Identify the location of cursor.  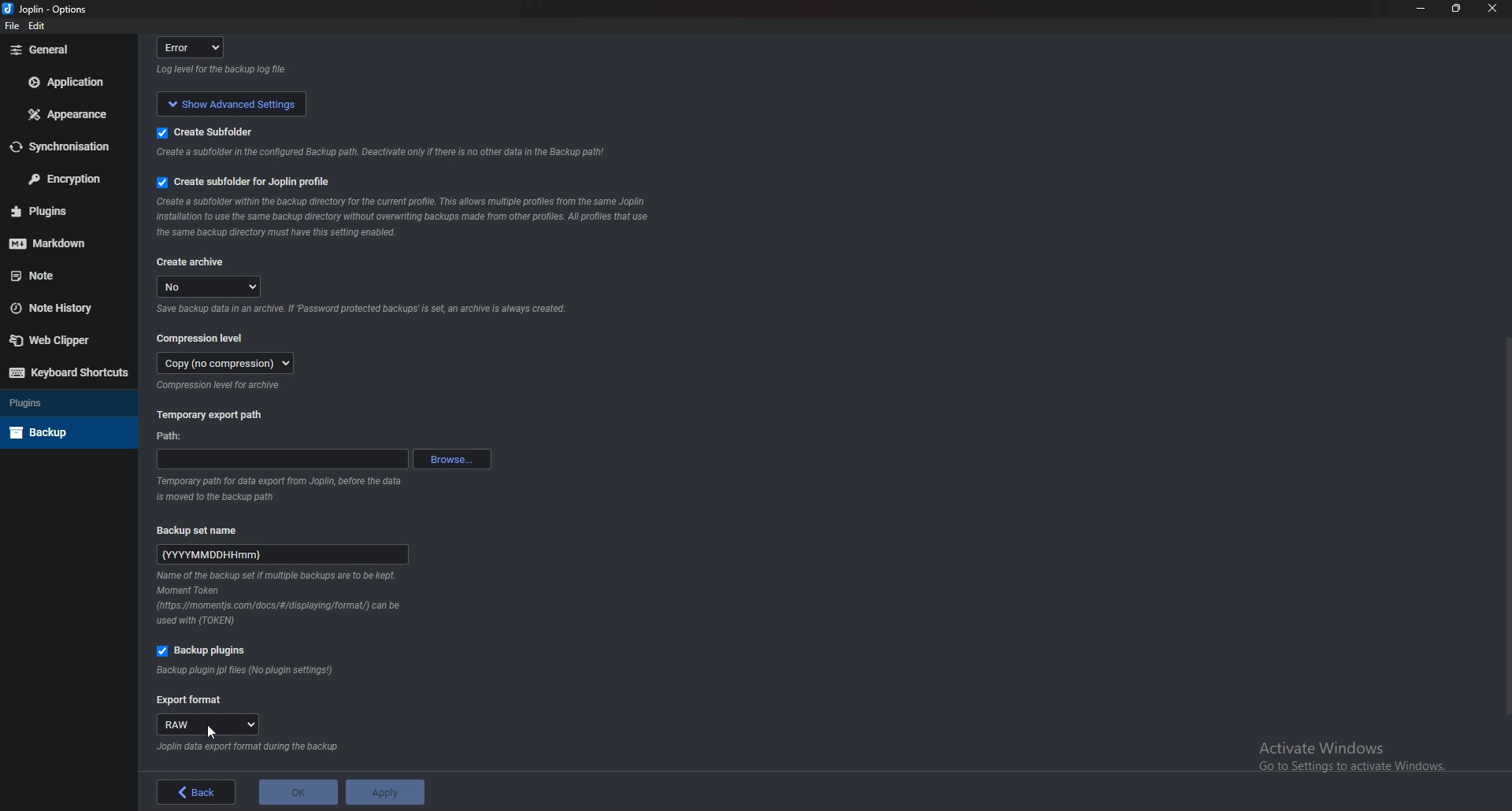
(213, 731).